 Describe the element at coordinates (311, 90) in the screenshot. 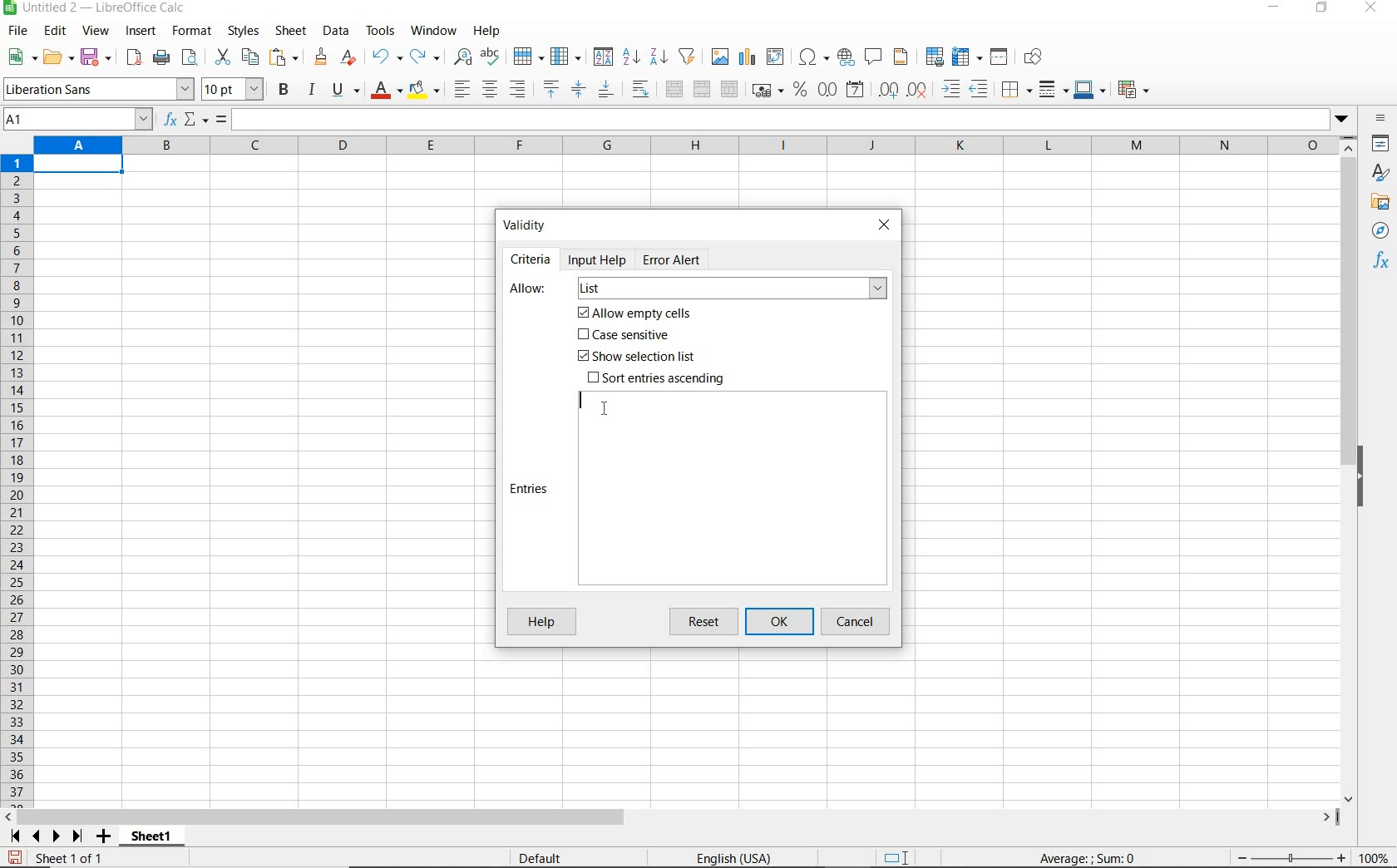

I see `italic` at that location.